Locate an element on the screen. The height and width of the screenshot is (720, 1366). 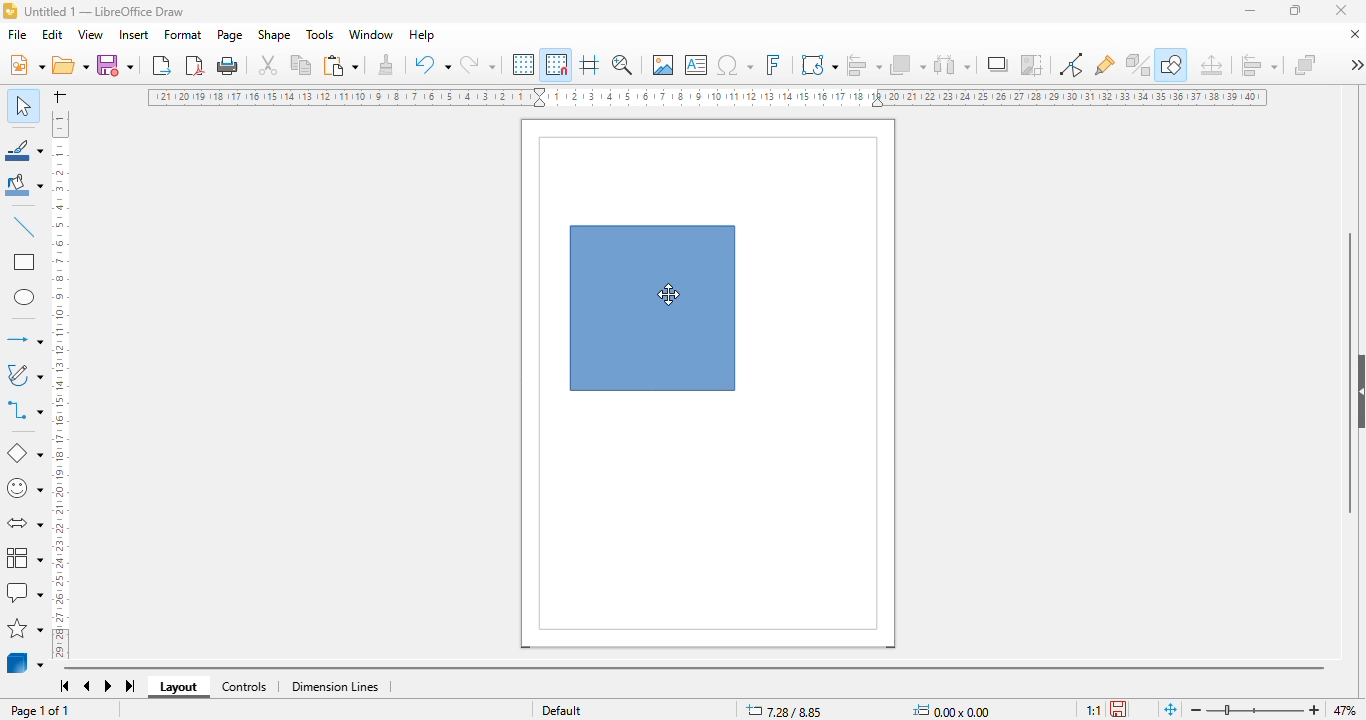
bring to front is located at coordinates (1305, 64).